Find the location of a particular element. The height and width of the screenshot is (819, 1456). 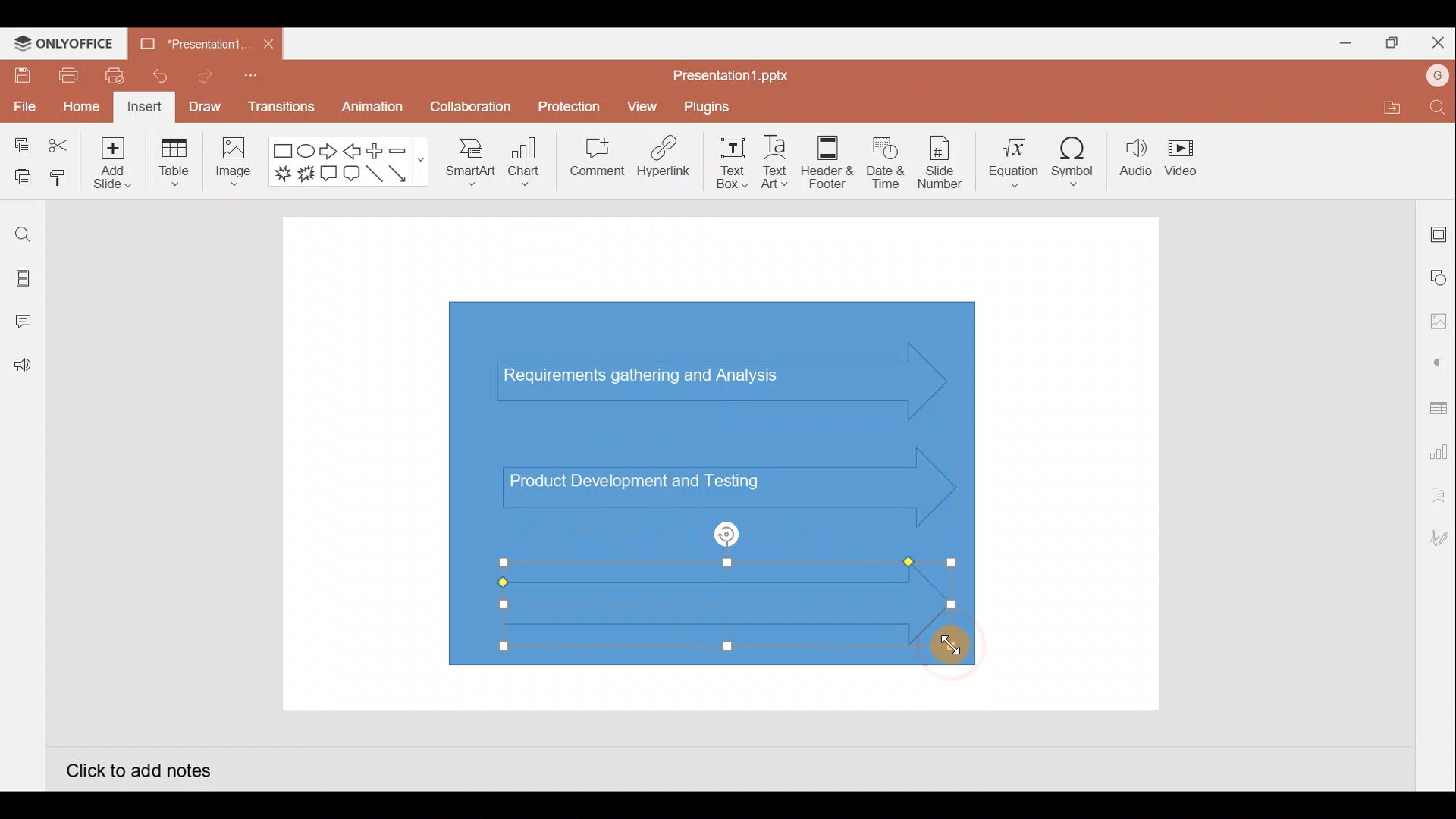

Video is located at coordinates (1183, 155).